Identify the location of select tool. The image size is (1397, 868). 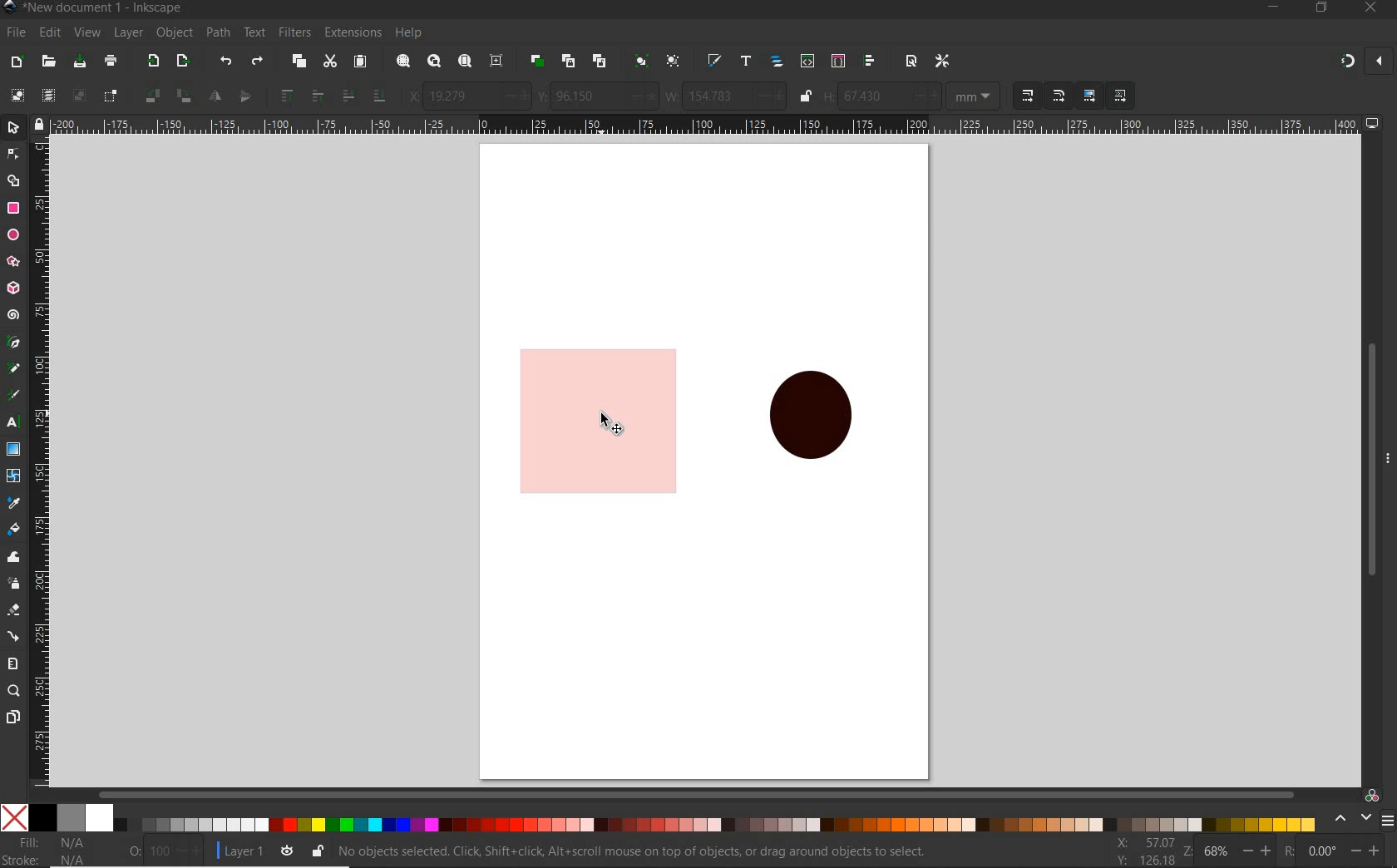
(14, 126).